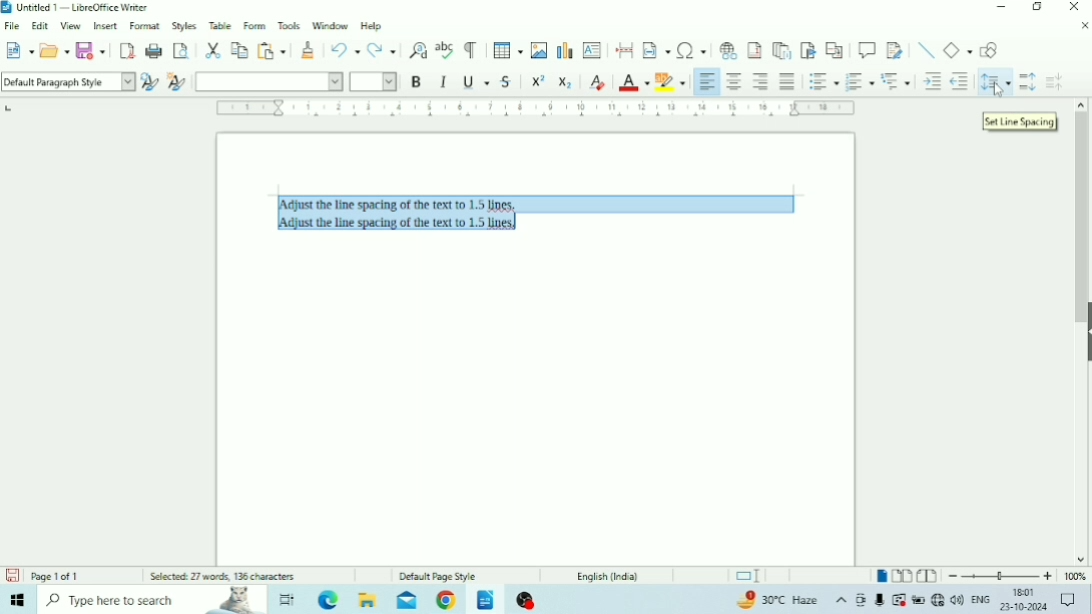 Image resolution: width=1092 pixels, height=614 pixels. What do you see at coordinates (7, 8) in the screenshot?
I see `Logo` at bounding box center [7, 8].